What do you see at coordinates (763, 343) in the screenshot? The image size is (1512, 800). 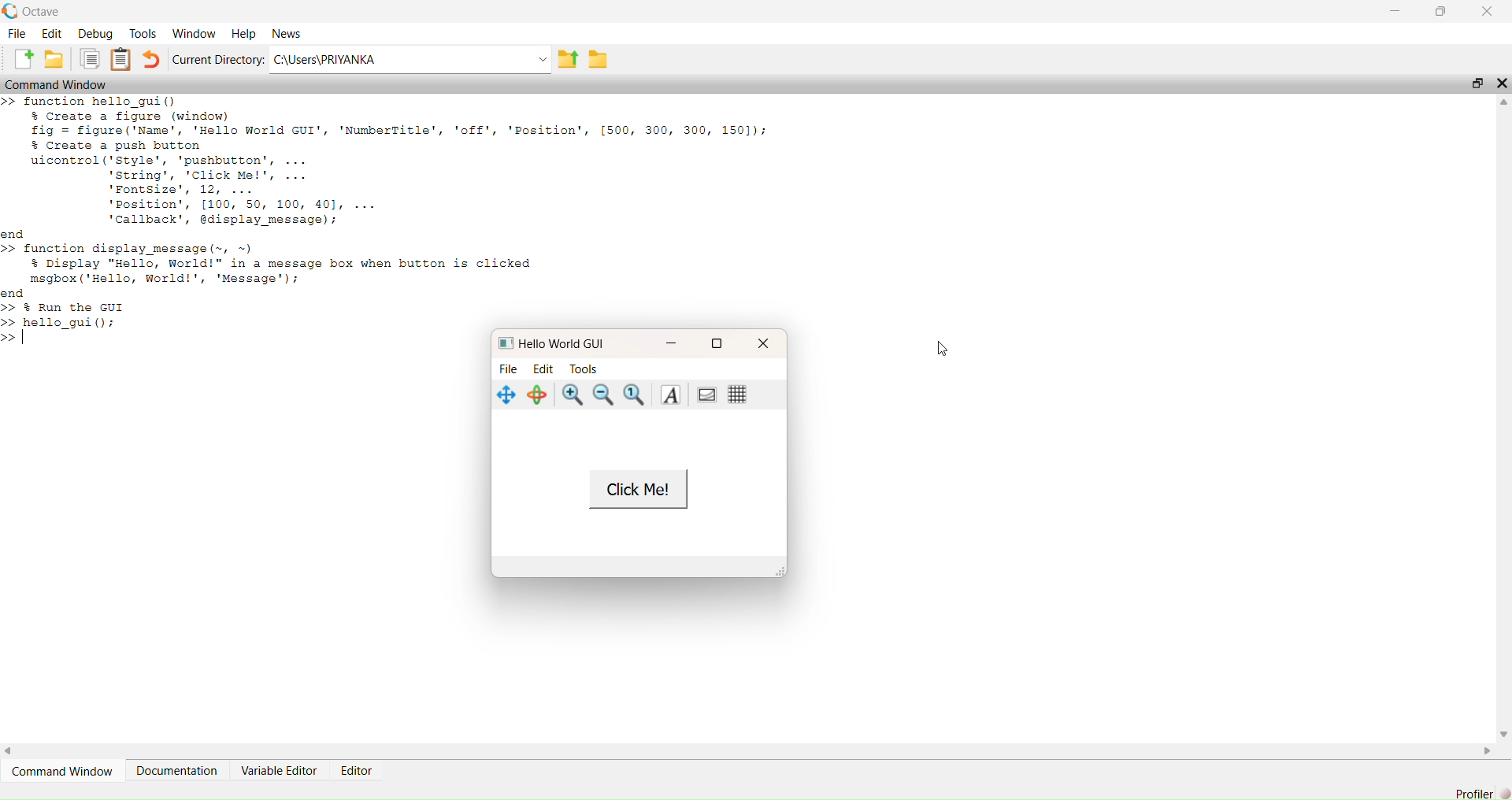 I see `close` at bounding box center [763, 343].